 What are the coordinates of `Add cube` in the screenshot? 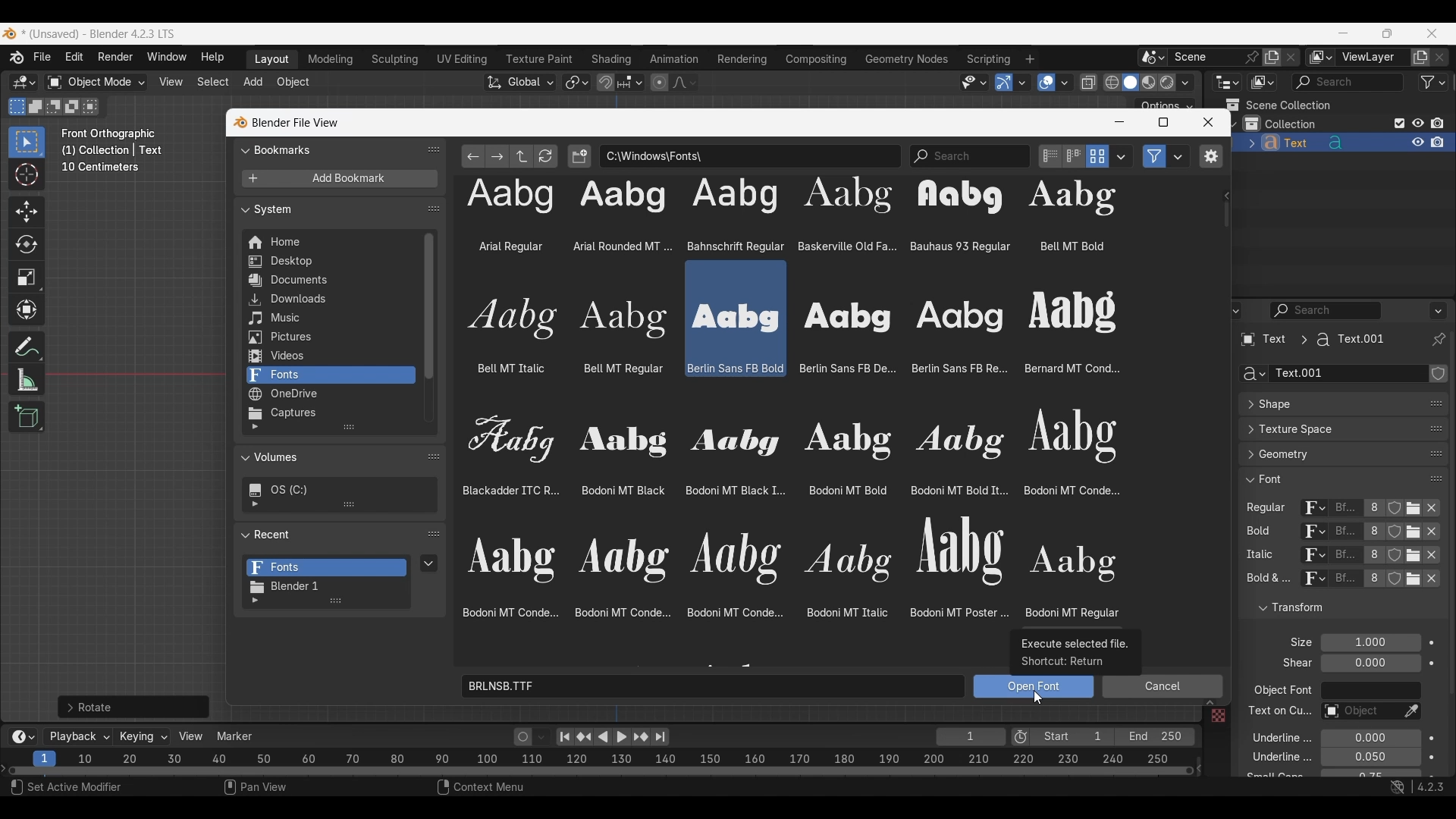 It's located at (27, 417).